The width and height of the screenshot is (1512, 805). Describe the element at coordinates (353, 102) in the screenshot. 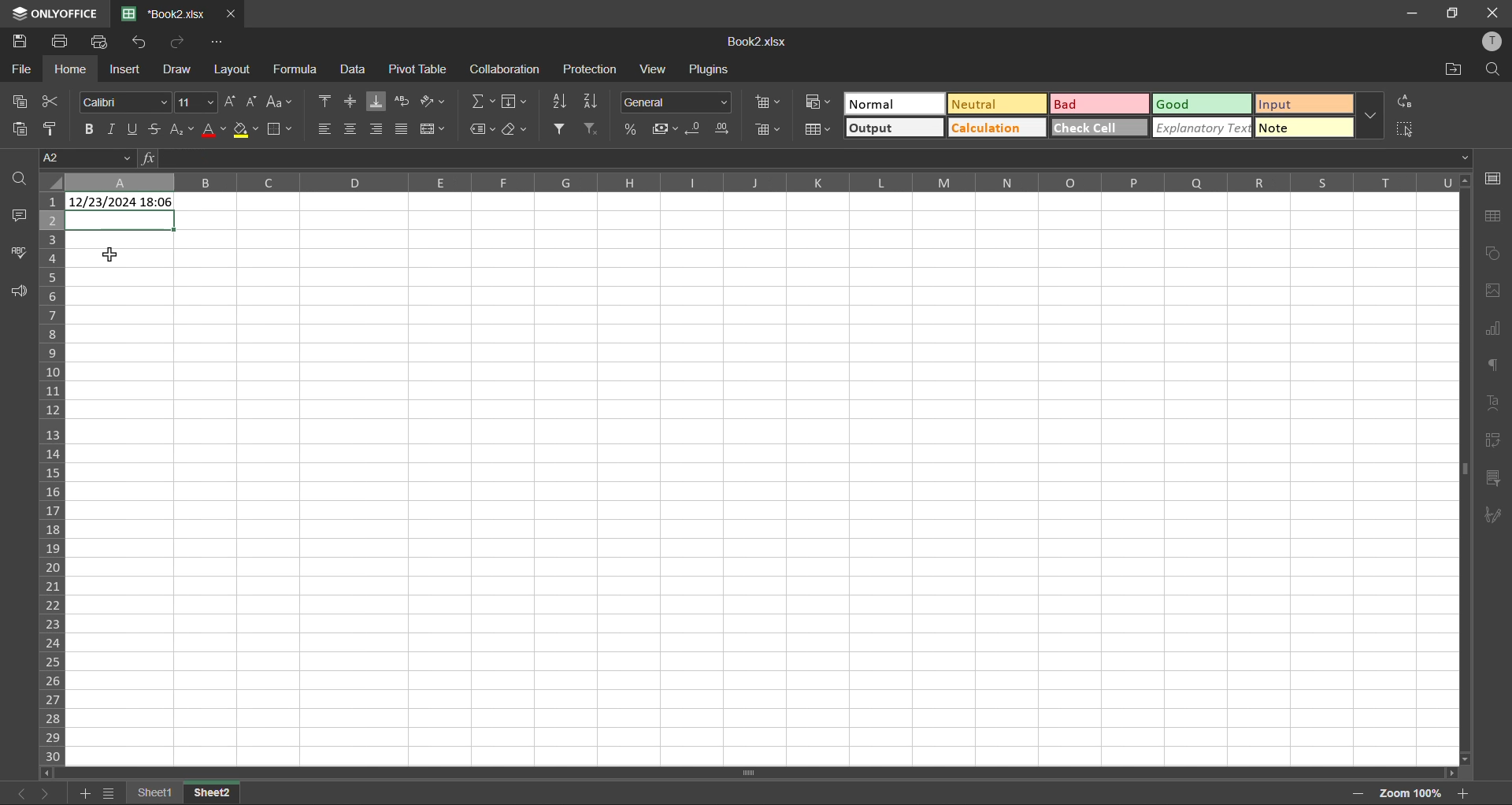

I see `align middle` at that location.